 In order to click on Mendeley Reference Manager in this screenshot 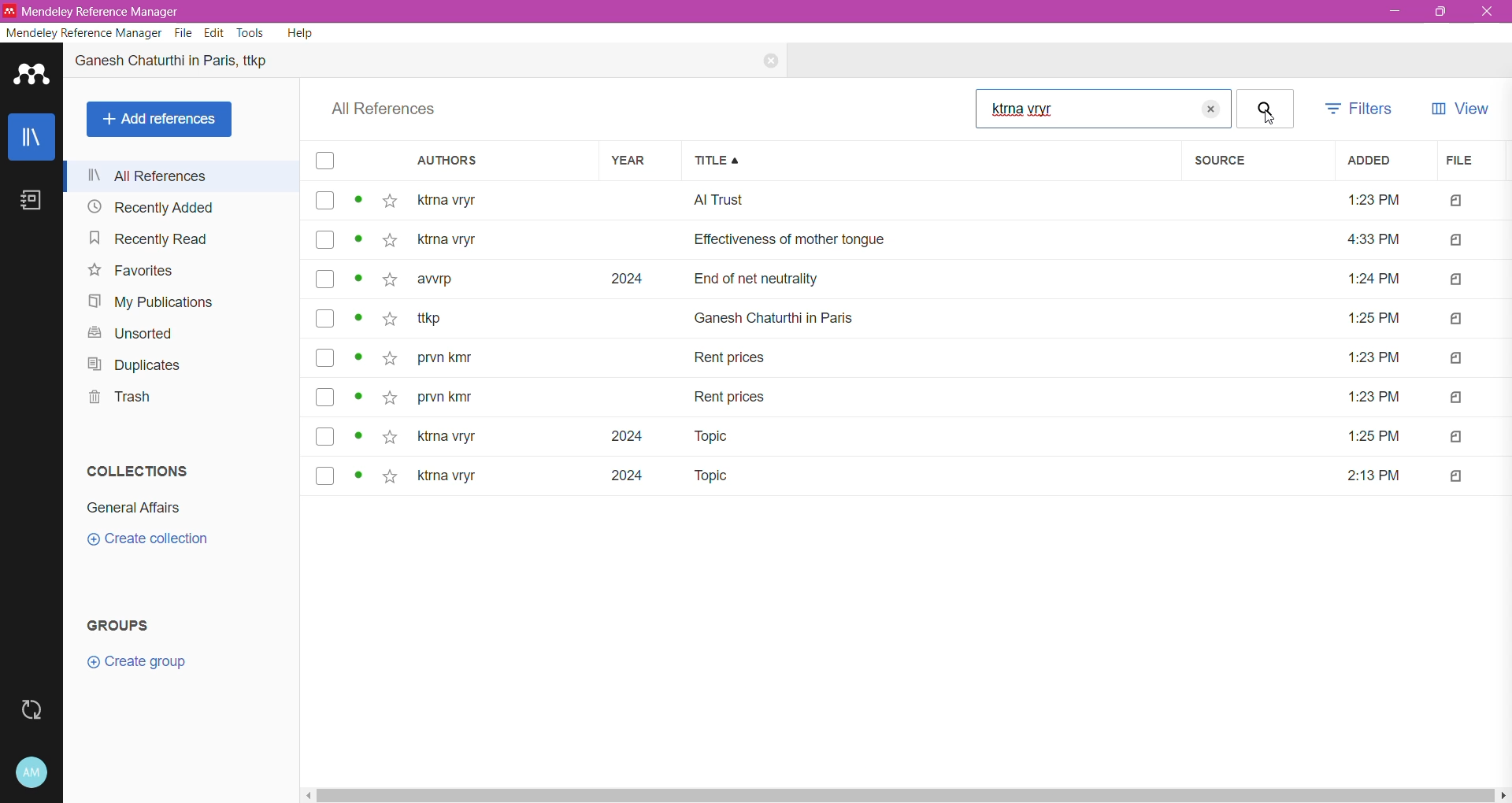, I will do `click(83, 33)`.